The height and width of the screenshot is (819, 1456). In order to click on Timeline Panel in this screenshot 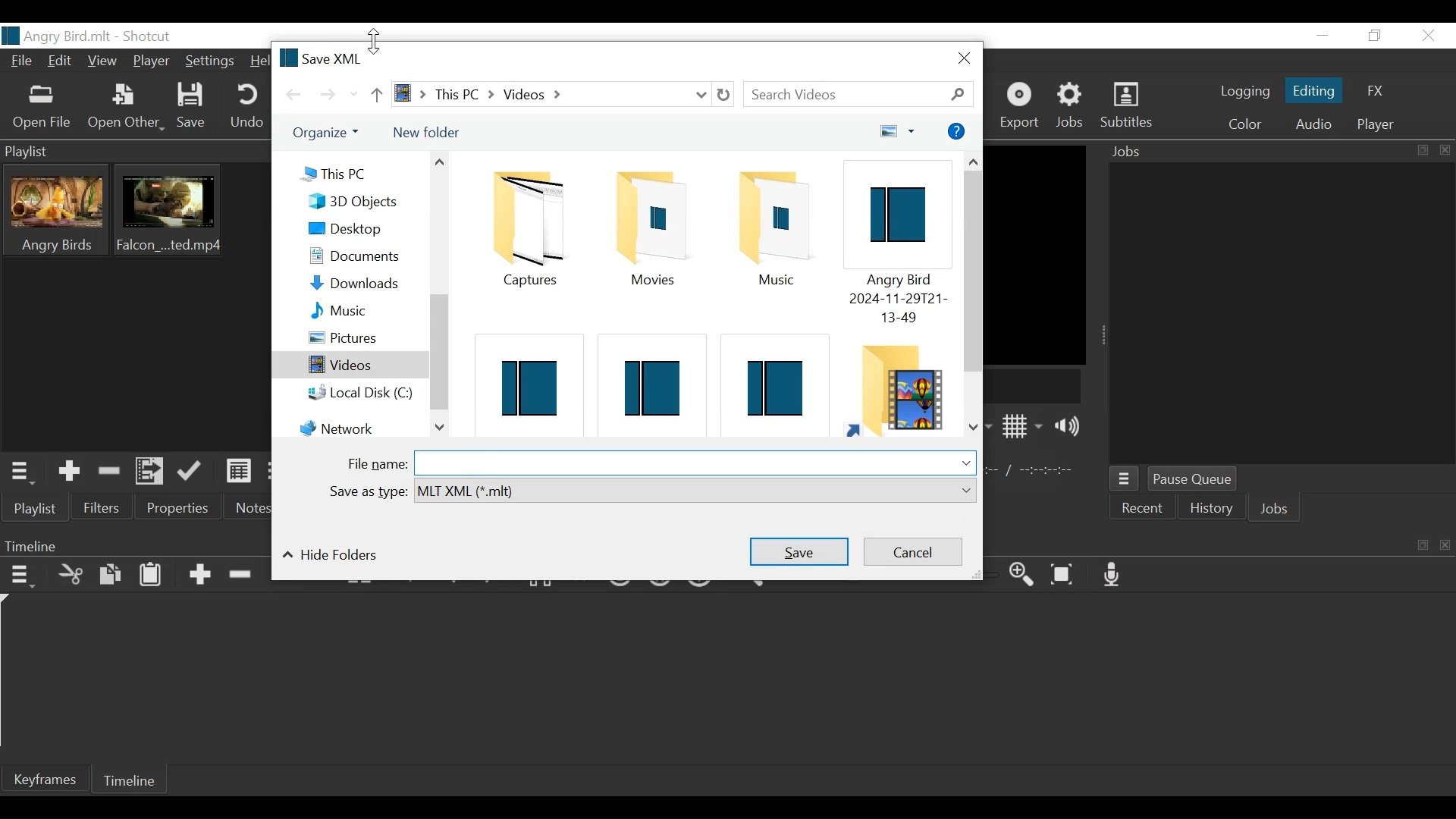, I will do `click(133, 544)`.